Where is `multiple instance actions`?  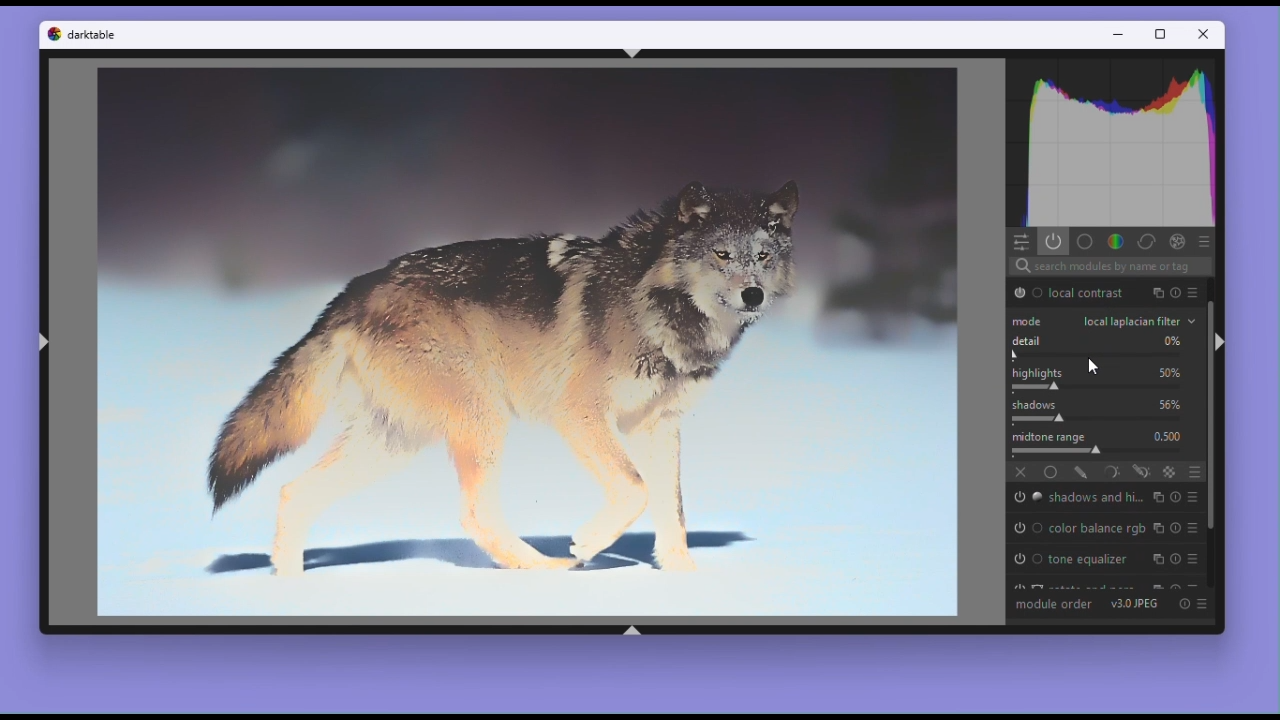
multiple instance actions is located at coordinates (1156, 497).